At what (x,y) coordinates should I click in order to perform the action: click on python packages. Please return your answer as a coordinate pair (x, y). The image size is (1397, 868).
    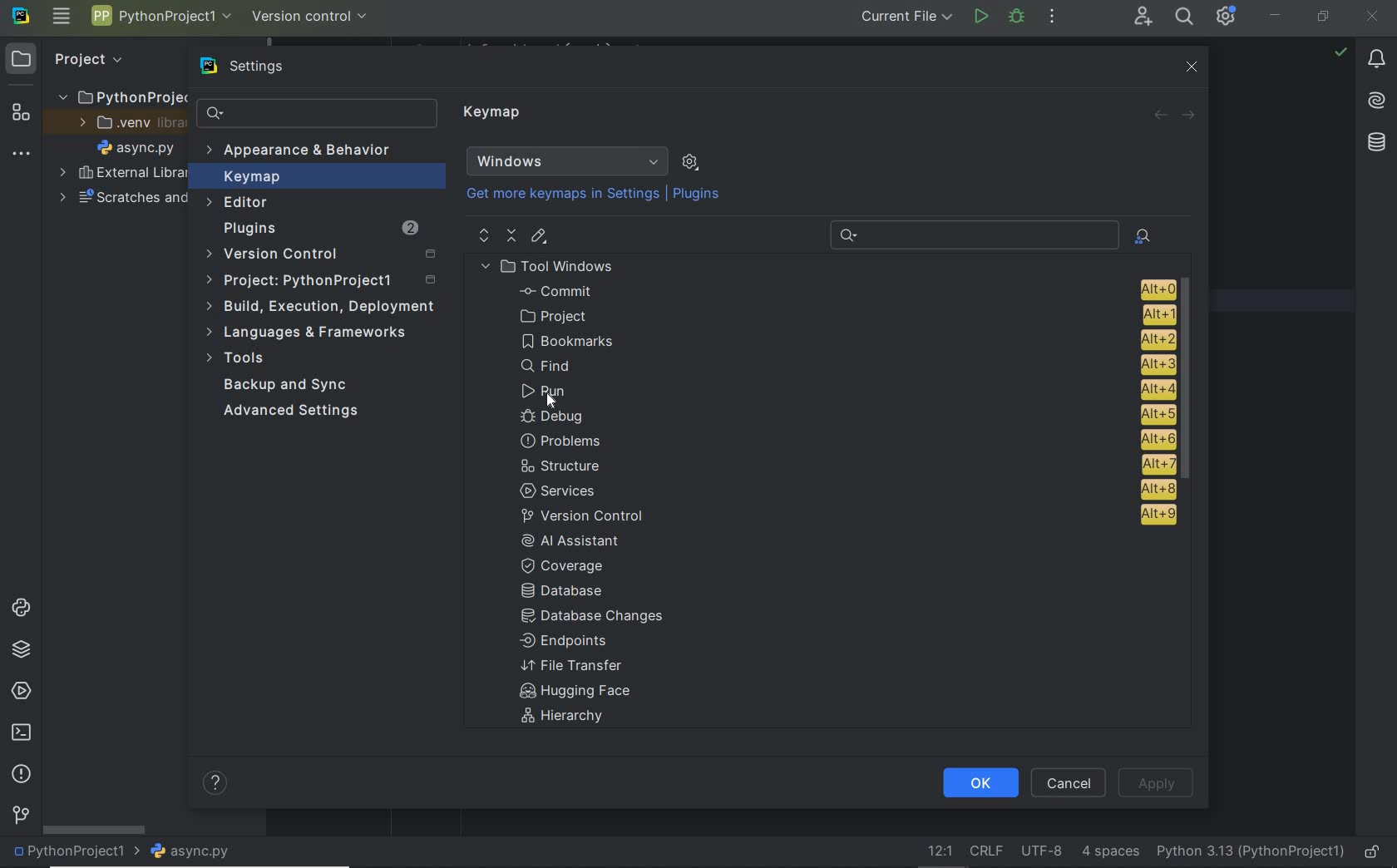
    Looking at the image, I should click on (20, 650).